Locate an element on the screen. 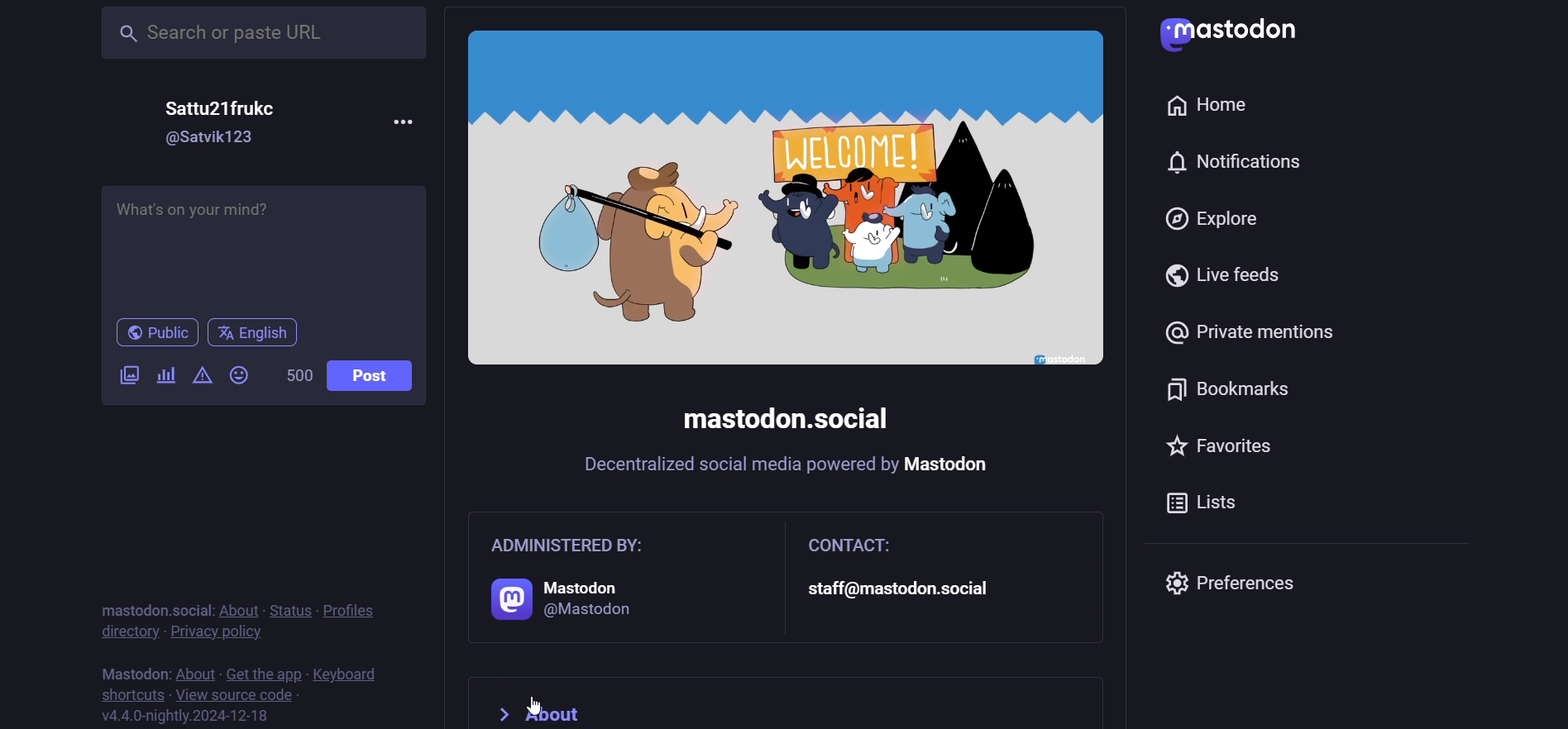  mastodon social is located at coordinates (789, 420).